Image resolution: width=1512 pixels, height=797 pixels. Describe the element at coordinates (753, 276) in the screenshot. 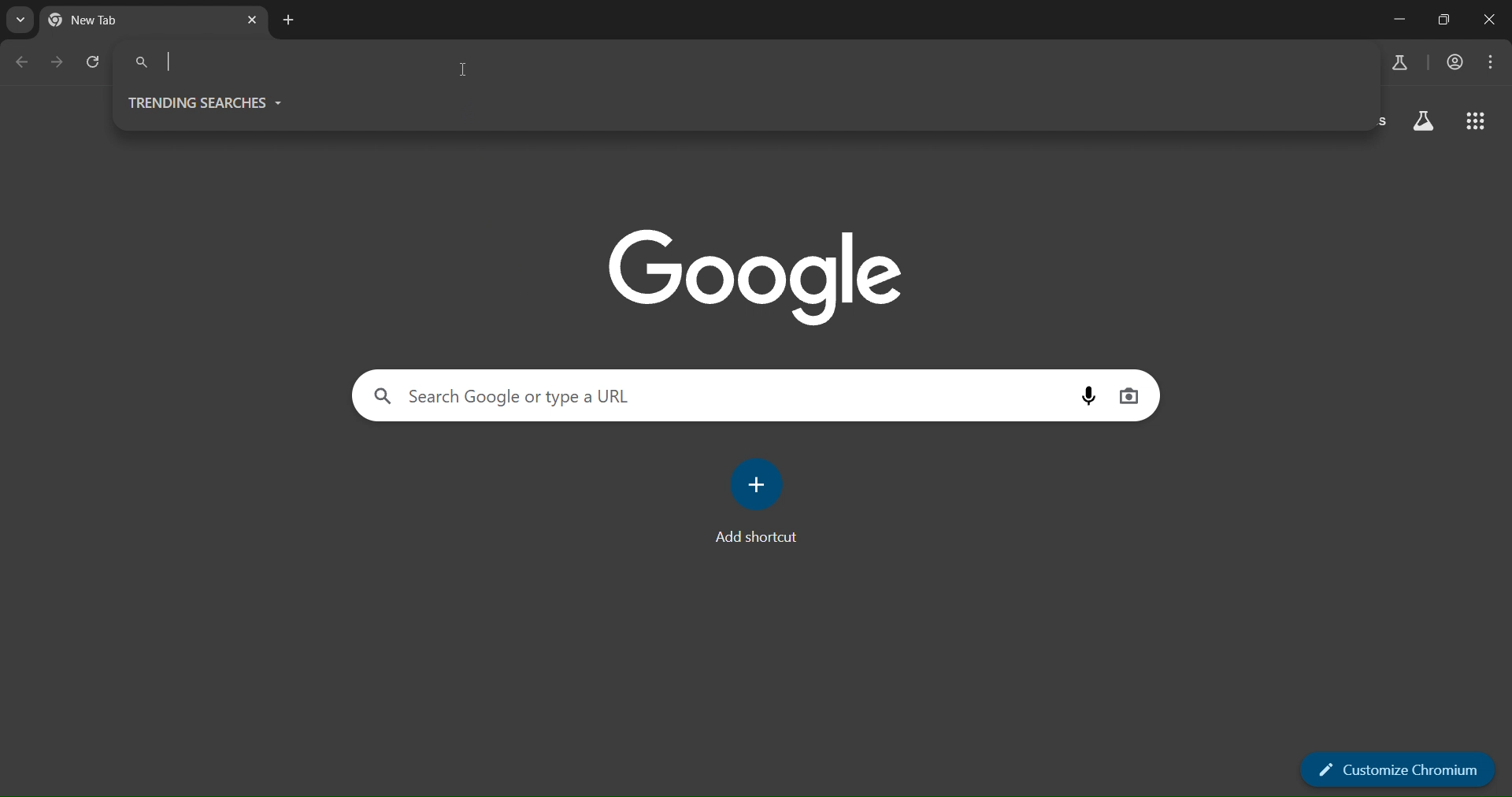

I see `Google` at that location.